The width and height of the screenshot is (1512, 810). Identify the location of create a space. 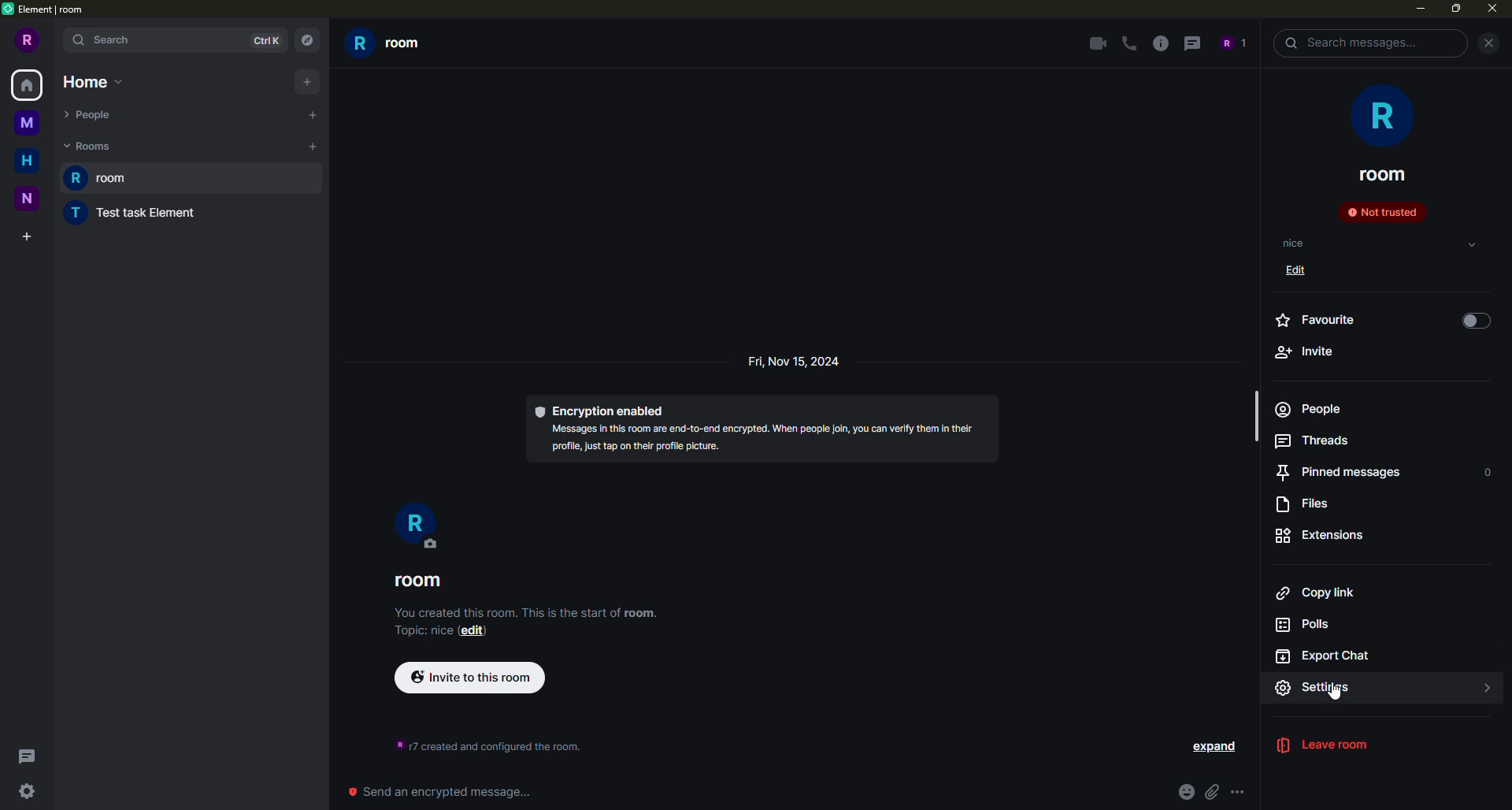
(30, 233).